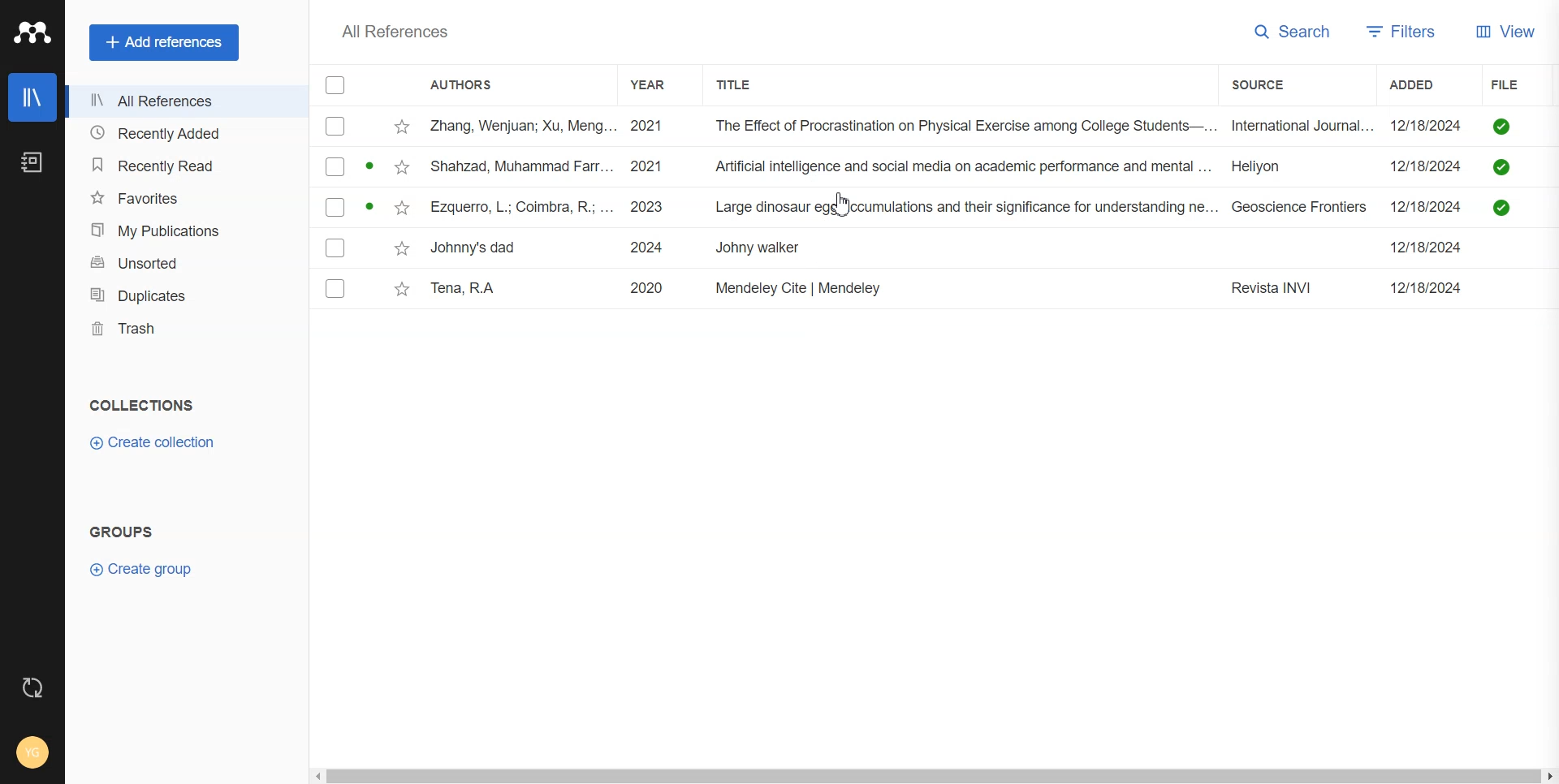 Image resolution: width=1559 pixels, height=784 pixels. Describe the element at coordinates (337, 85) in the screenshot. I see `Checkbox` at that location.